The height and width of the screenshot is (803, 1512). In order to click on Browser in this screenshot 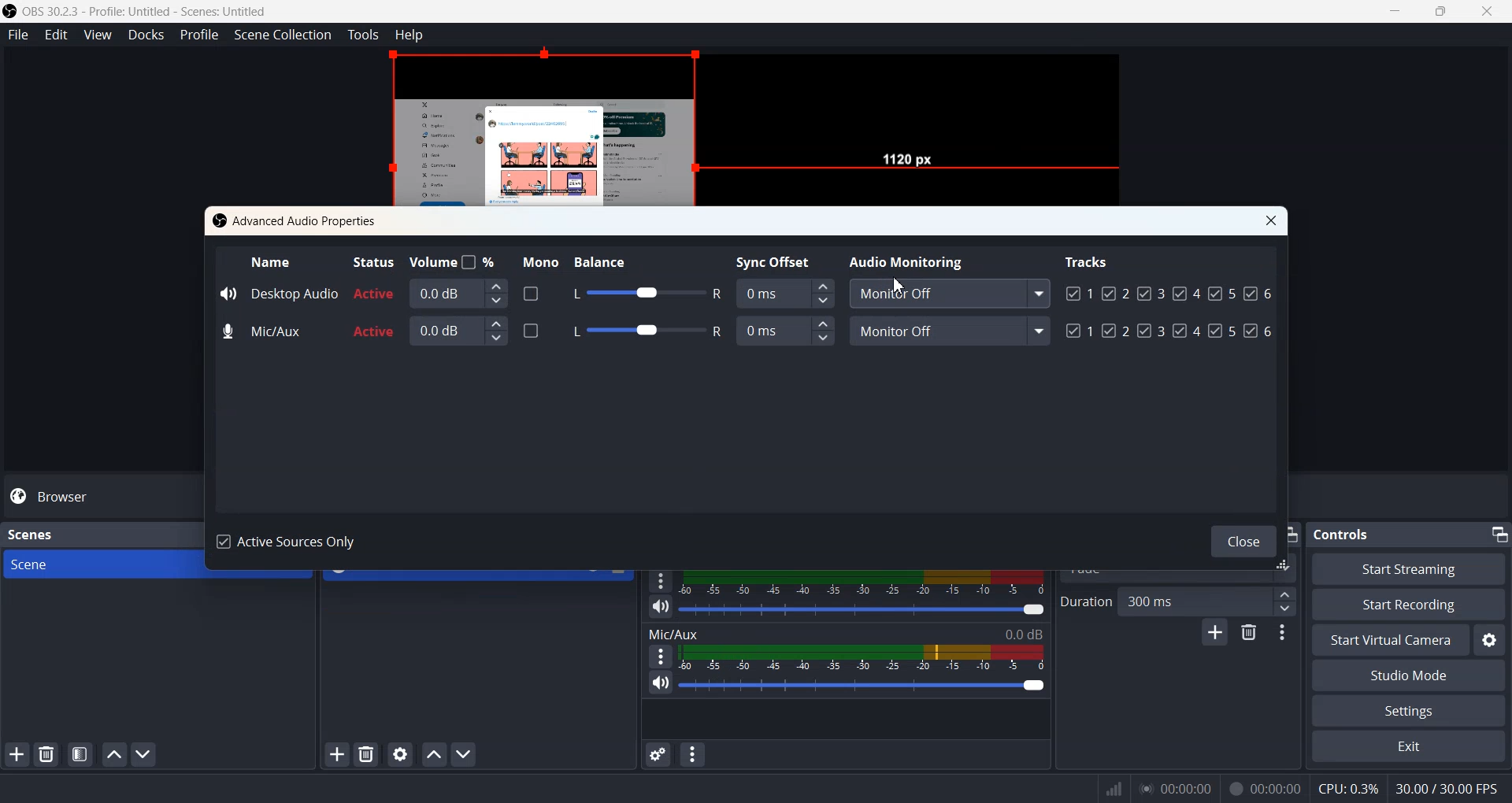, I will do `click(101, 496)`.